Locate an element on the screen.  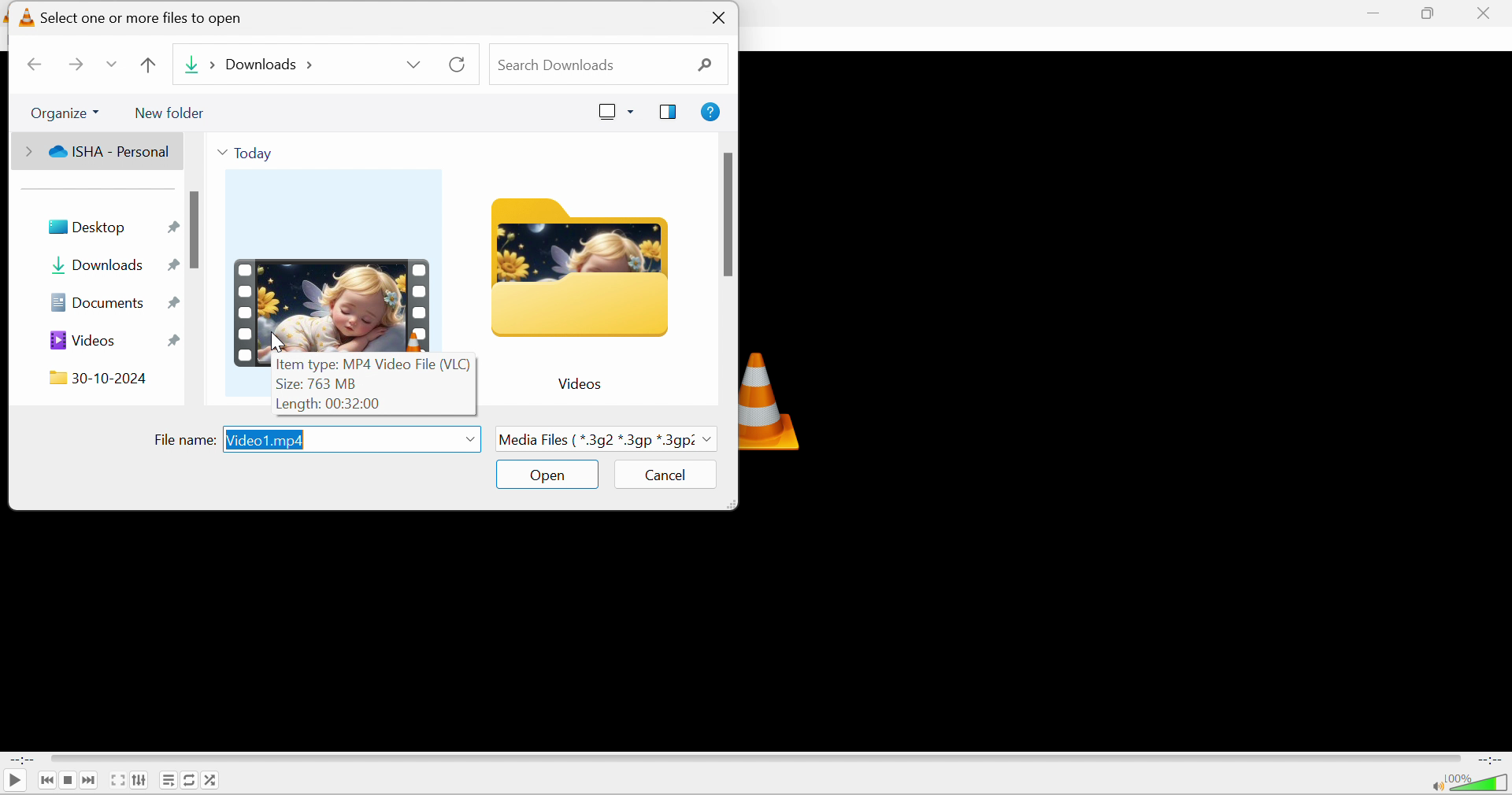
Stop playback is located at coordinates (71, 780).